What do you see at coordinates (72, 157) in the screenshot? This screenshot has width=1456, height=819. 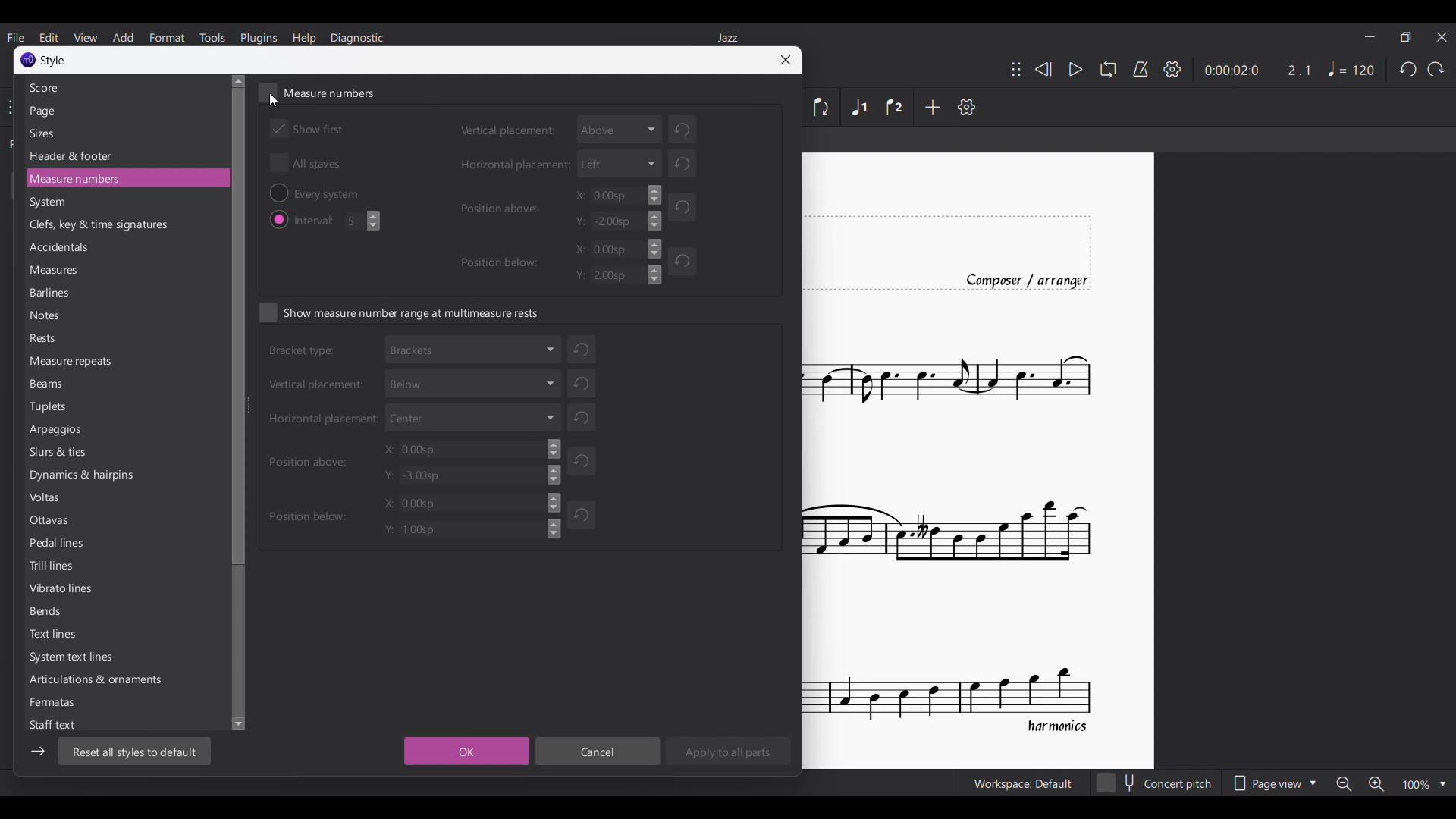 I see `Header` at bounding box center [72, 157].